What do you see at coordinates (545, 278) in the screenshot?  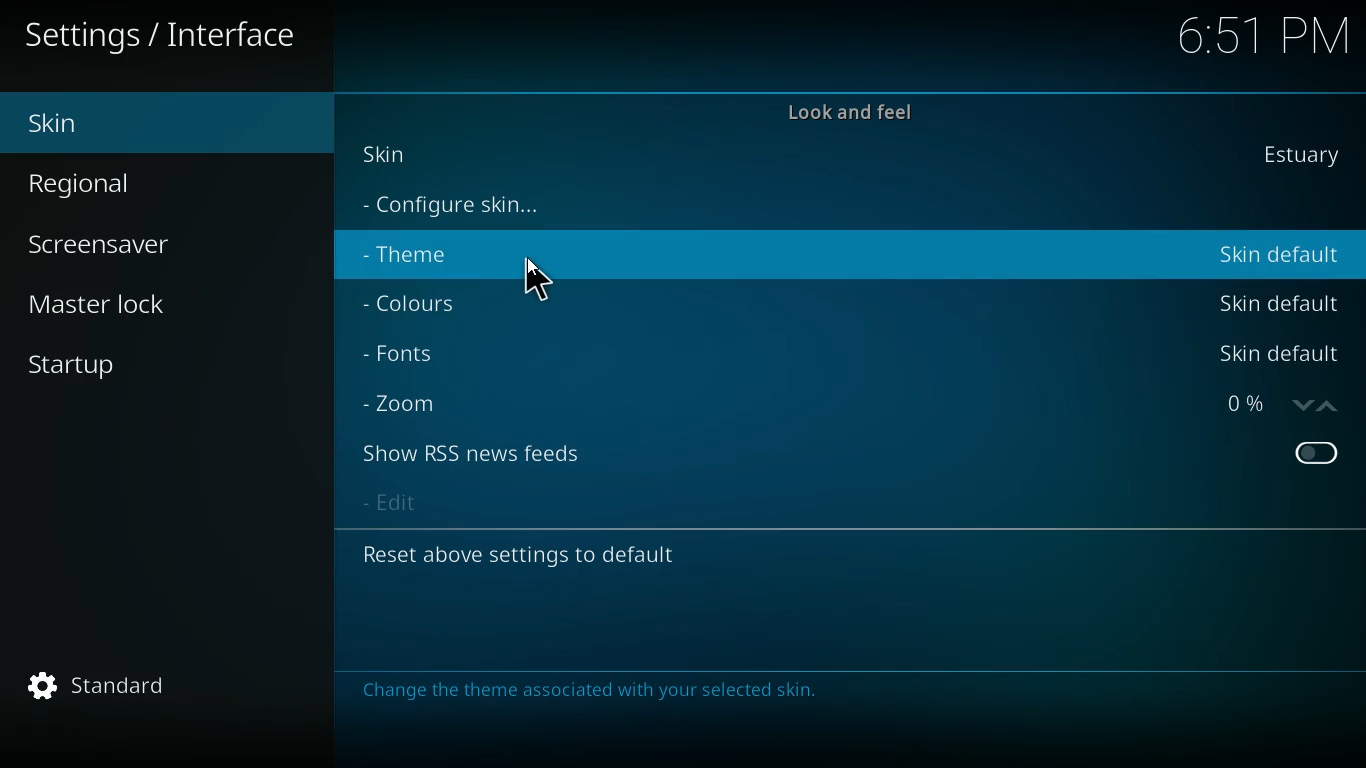 I see `Cursor` at bounding box center [545, 278].